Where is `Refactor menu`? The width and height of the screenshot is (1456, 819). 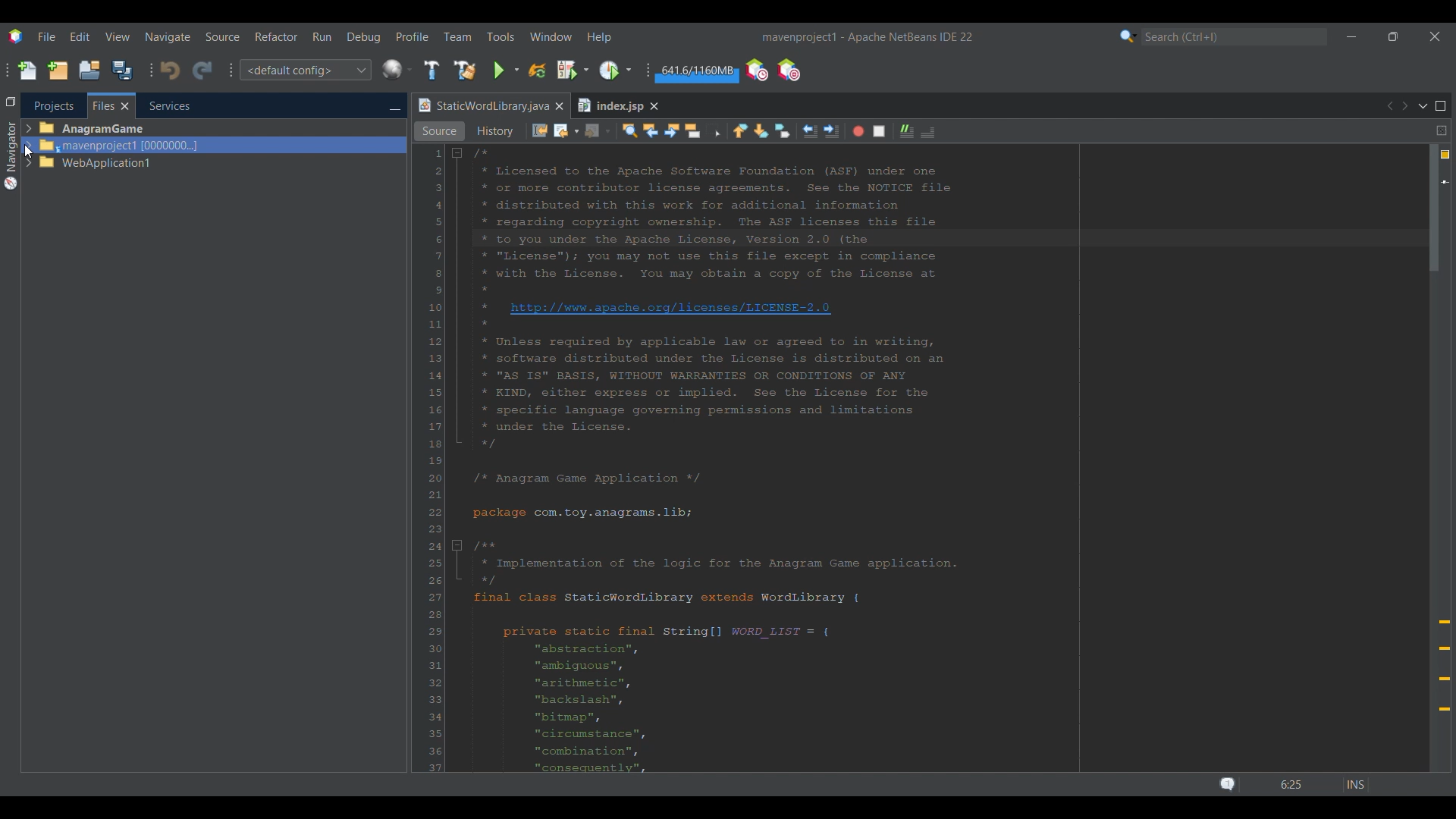 Refactor menu is located at coordinates (275, 36).